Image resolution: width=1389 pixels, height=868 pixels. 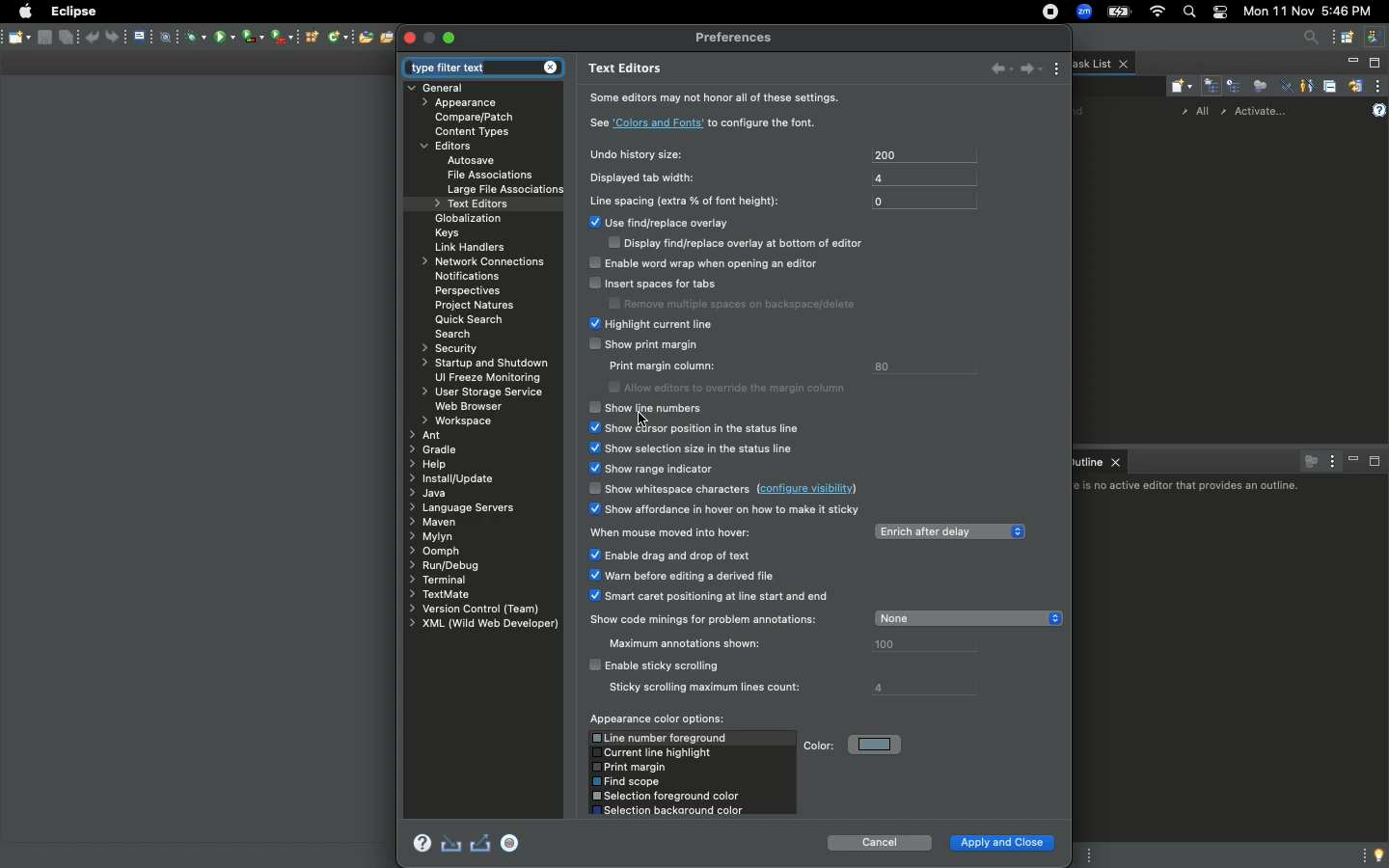 What do you see at coordinates (192, 36) in the screenshot?
I see `Antivirus` at bounding box center [192, 36].